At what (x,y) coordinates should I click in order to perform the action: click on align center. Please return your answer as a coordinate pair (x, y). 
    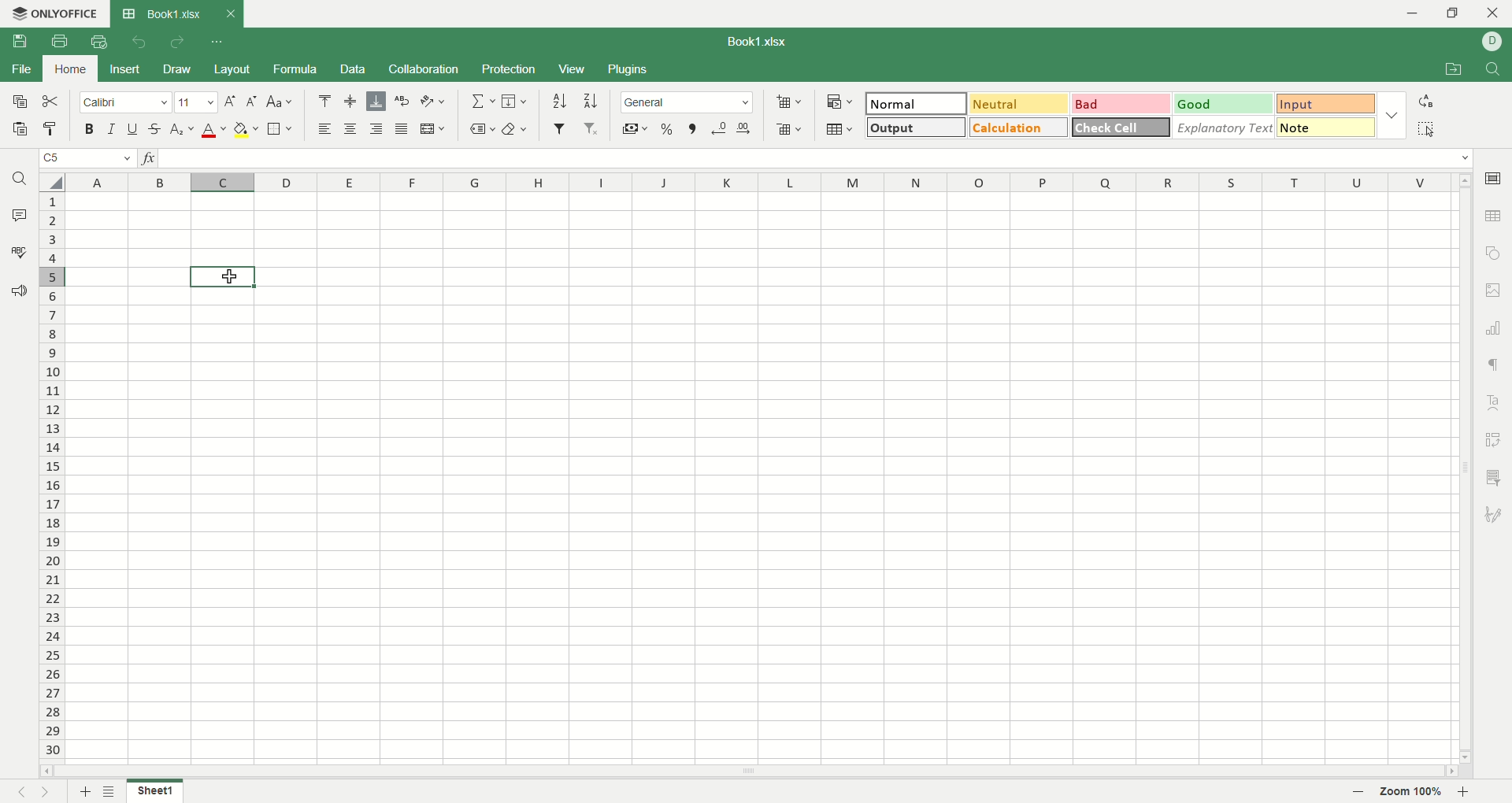
    Looking at the image, I should click on (354, 130).